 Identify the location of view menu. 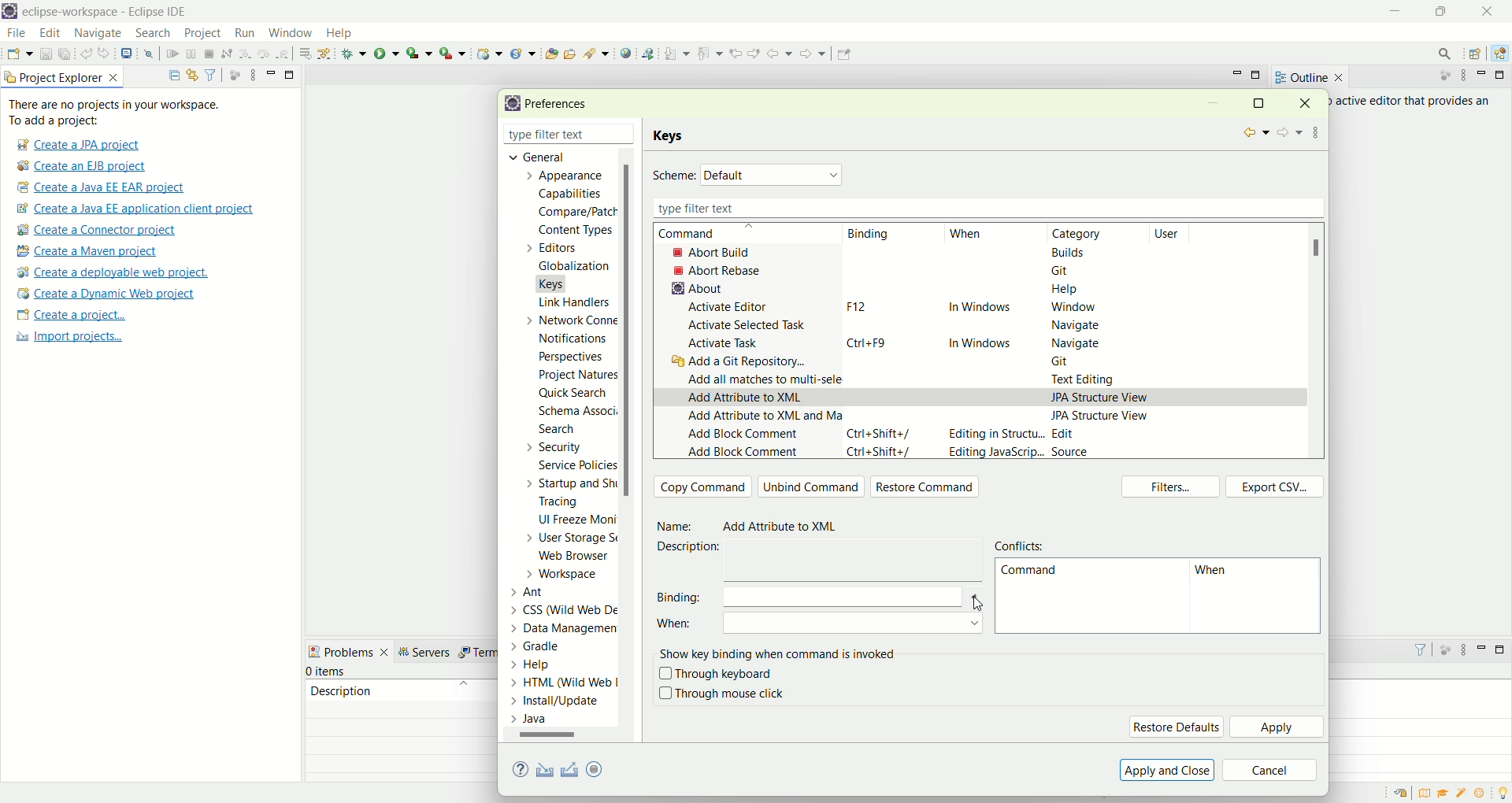
(1317, 130).